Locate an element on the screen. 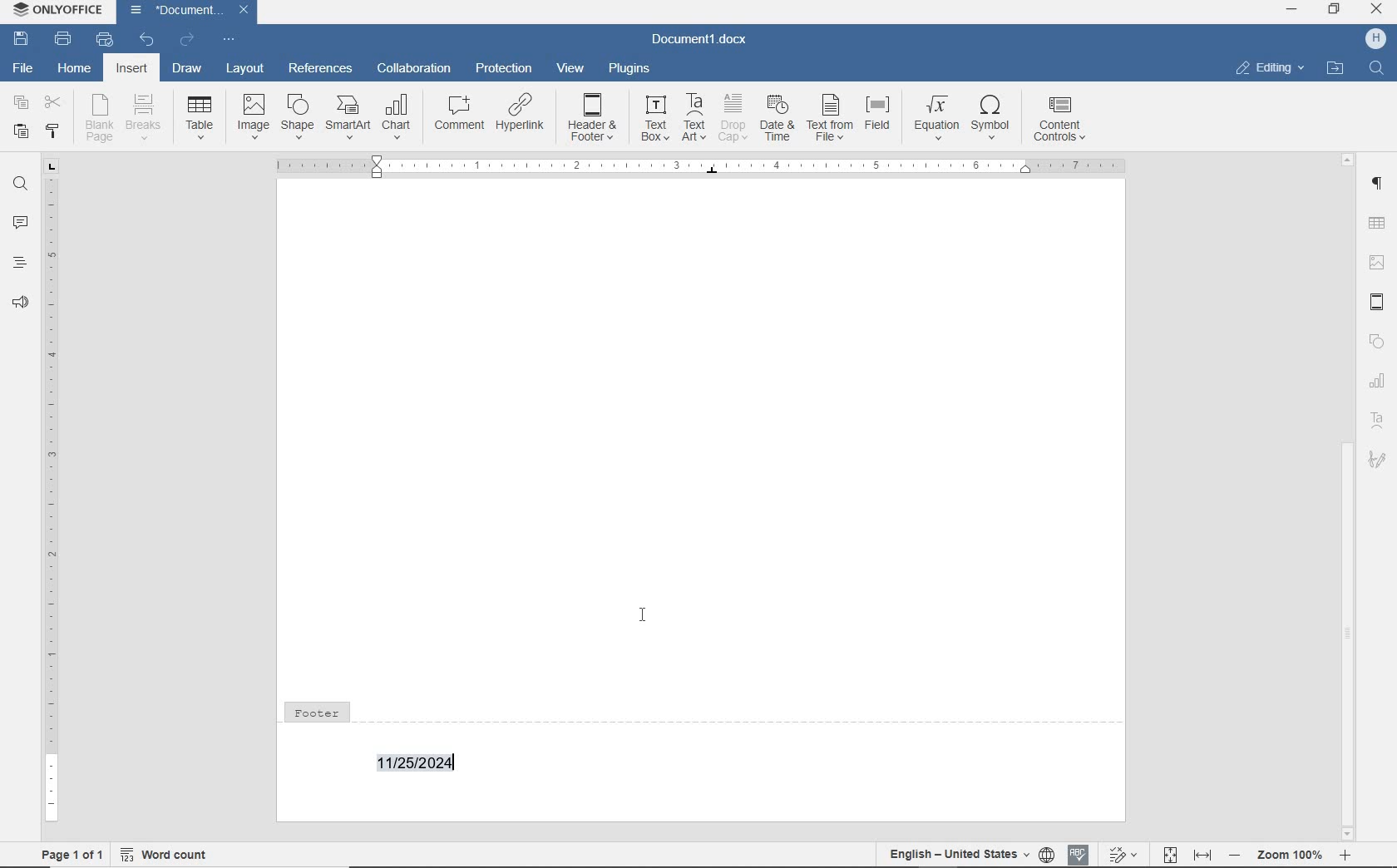  ruler is located at coordinates (49, 491).